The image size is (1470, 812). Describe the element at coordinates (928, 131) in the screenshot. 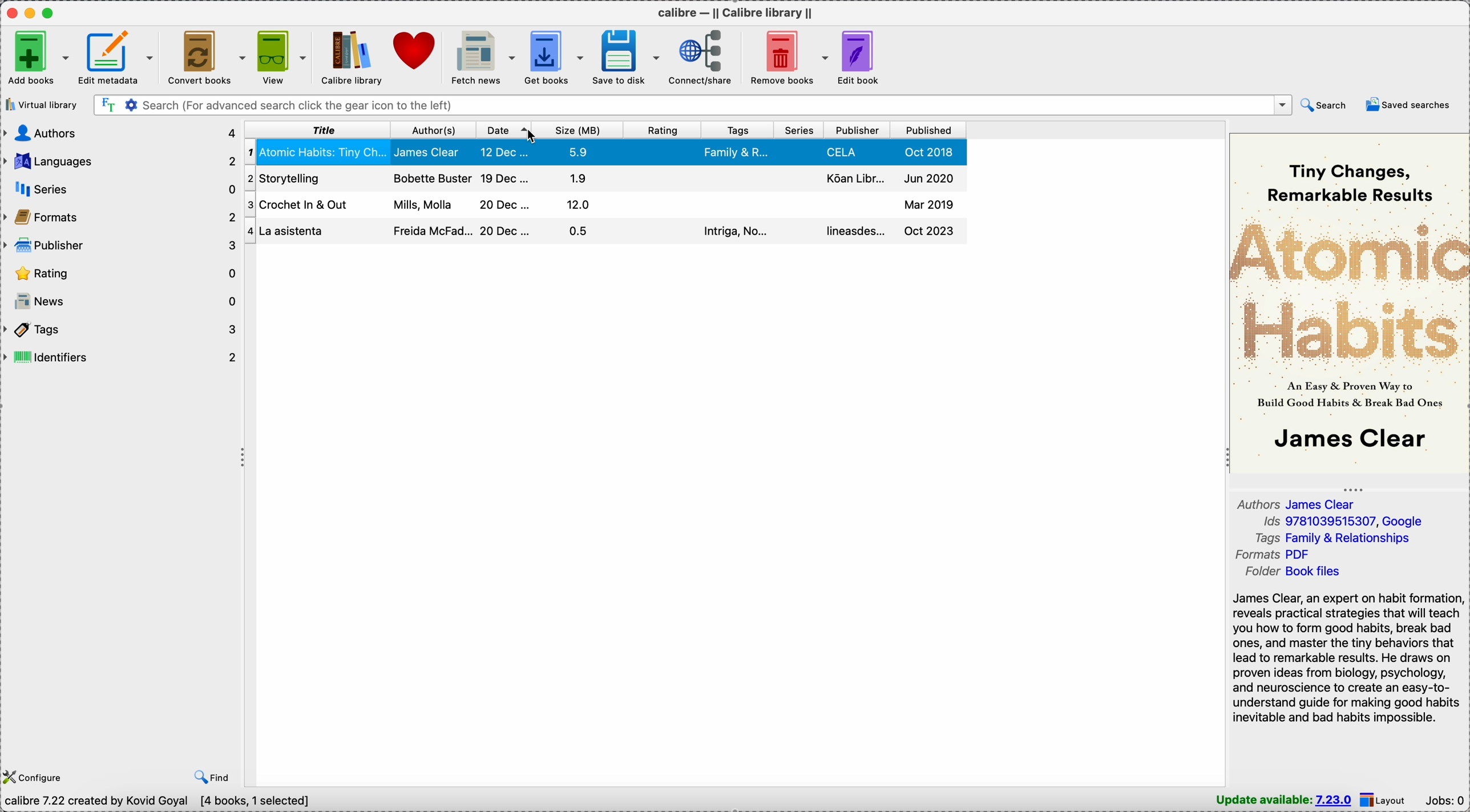

I see `published` at that location.